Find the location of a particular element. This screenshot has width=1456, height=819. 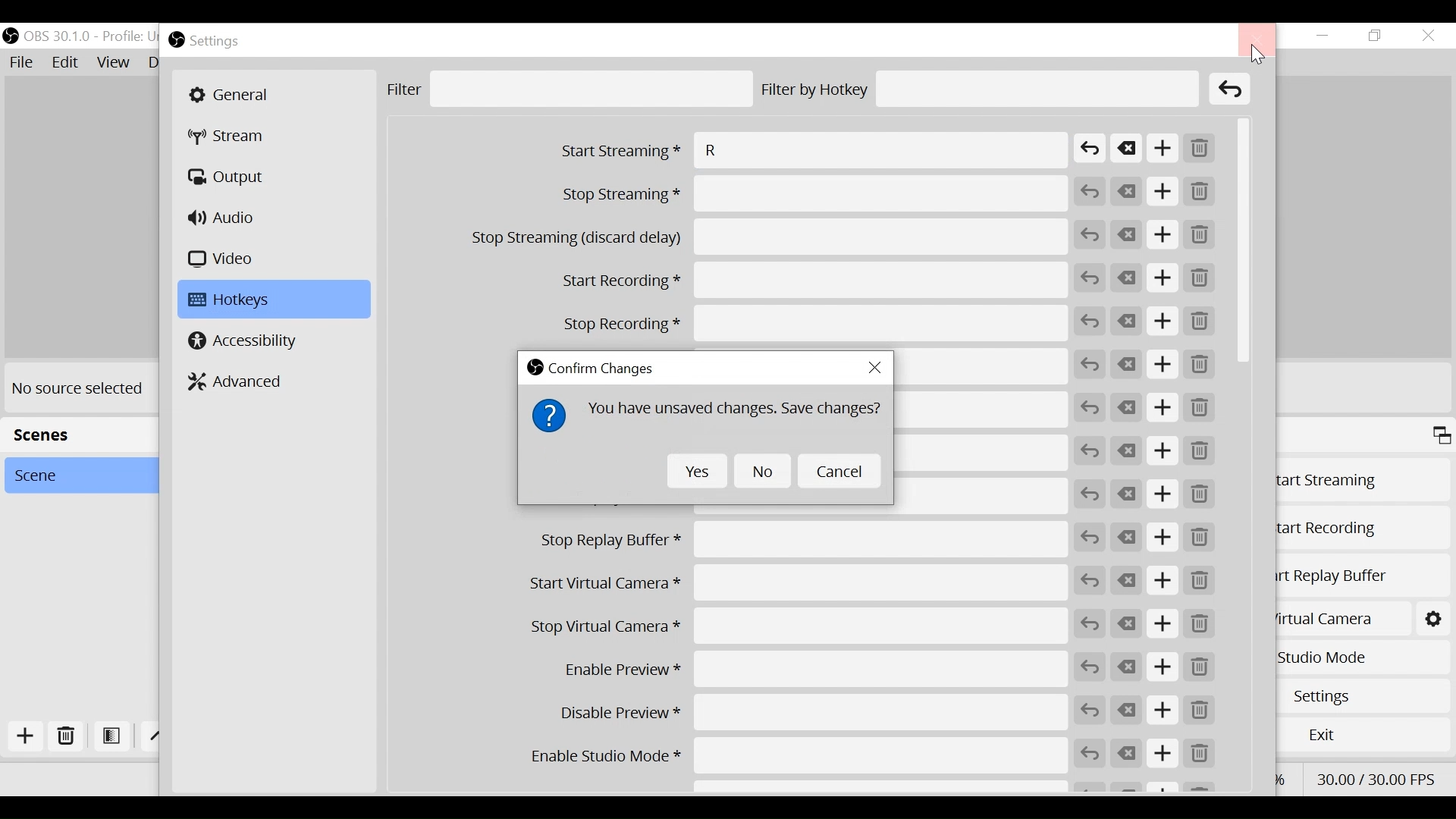

Yes is located at coordinates (695, 471).